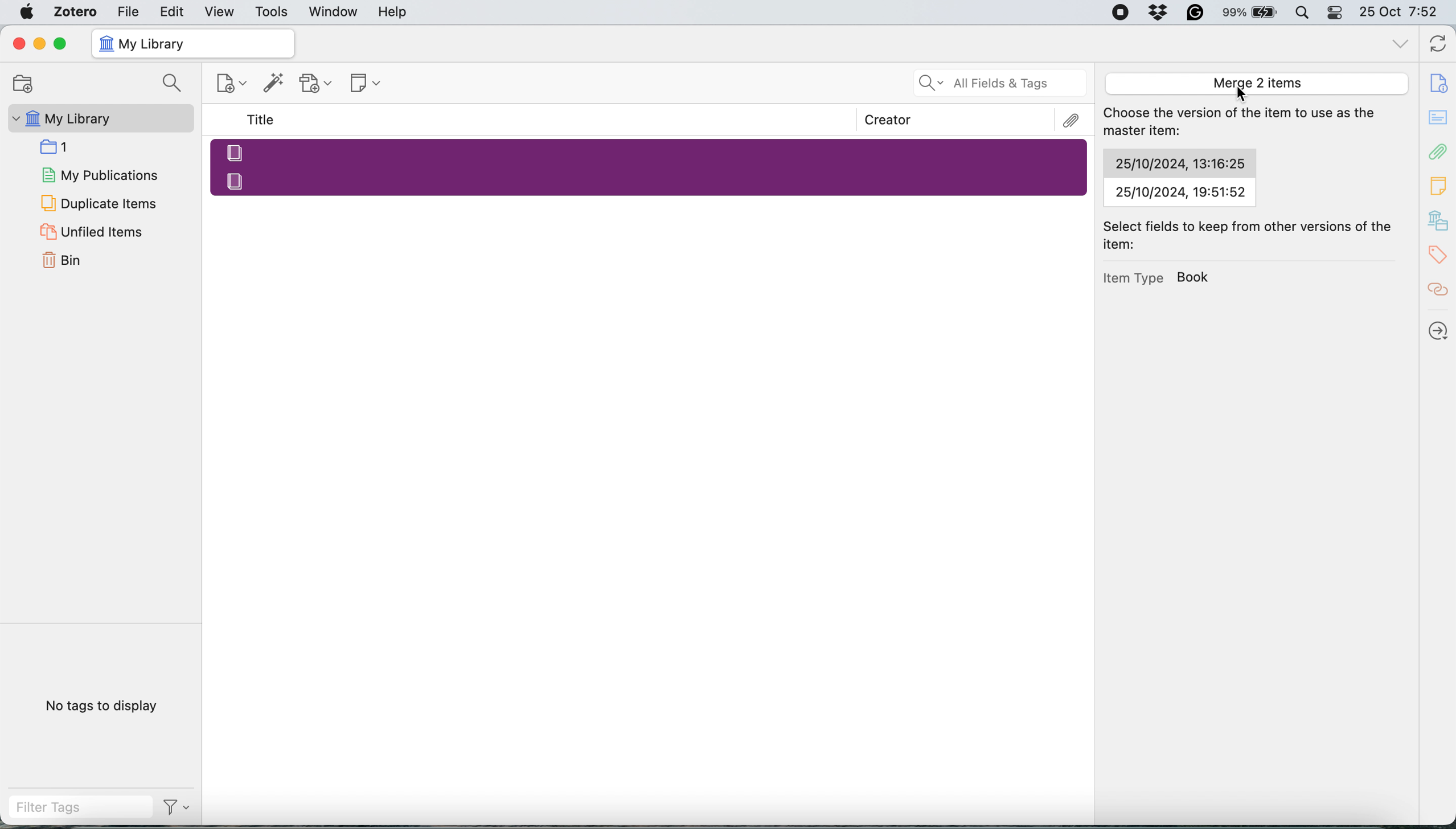 This screenshot has width=1456, height=829. What do you see at coordinates (1255, 83) in the screenshot?
I see `Merge 2 items` at bounding box center [1255, 83].